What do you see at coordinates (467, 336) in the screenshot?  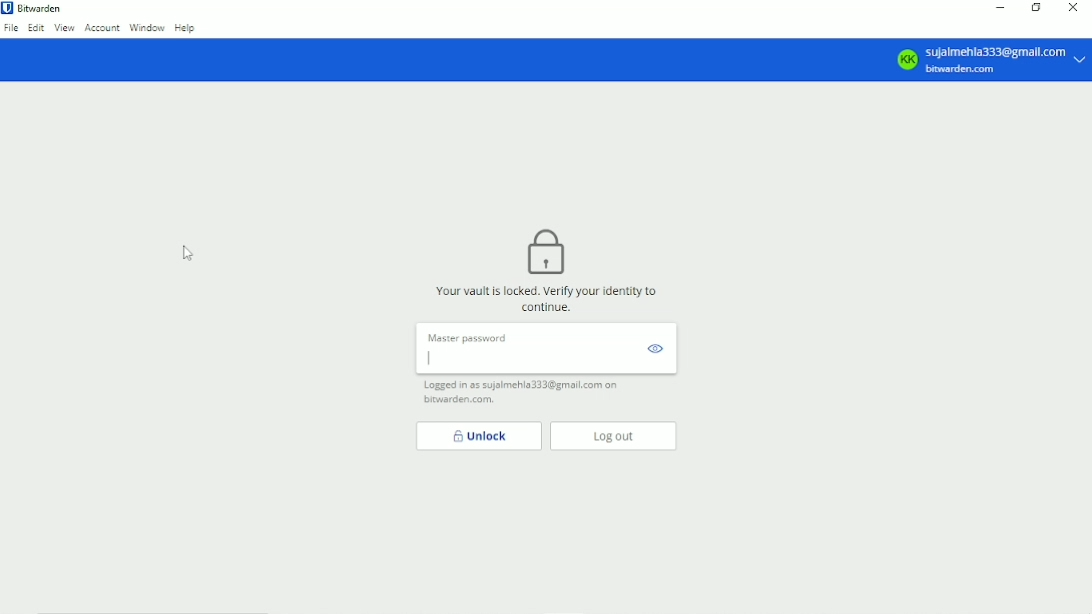 I see `Master Password` at bounding box center [467, 336].